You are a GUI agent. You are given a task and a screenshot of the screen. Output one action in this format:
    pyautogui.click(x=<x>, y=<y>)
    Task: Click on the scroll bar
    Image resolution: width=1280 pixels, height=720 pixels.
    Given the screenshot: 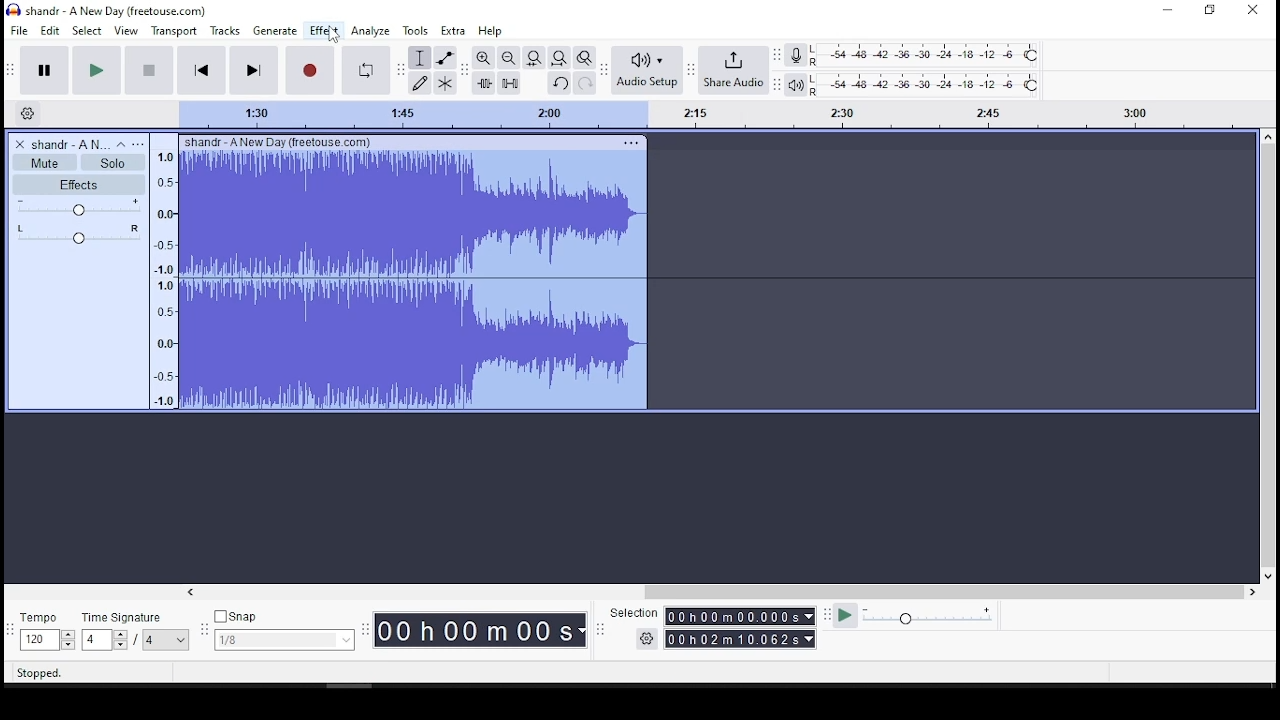 What is the action you would take?
    pyautogui.click(x=720, y=590)
    